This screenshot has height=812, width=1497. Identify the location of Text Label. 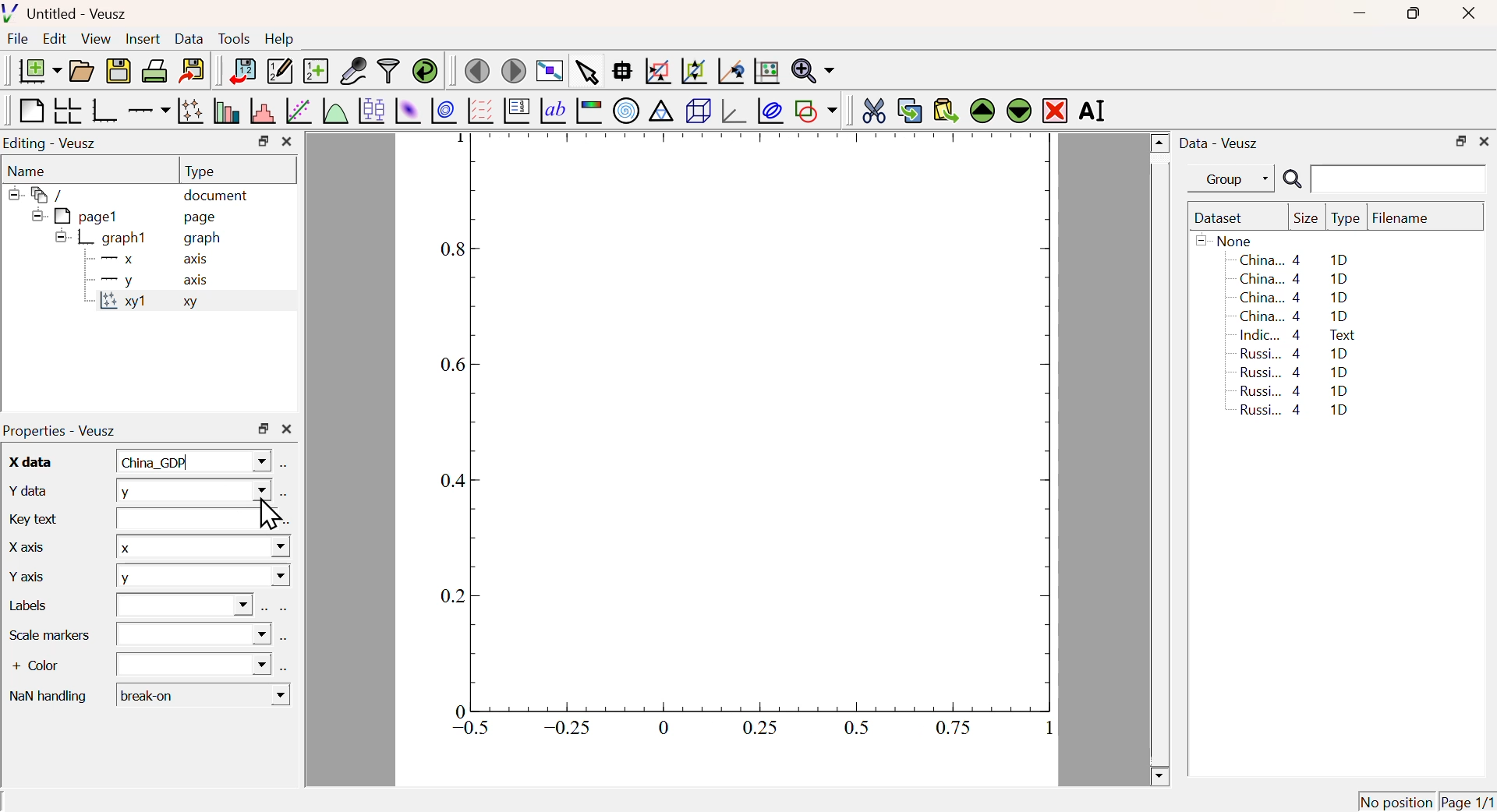
(553, 111).